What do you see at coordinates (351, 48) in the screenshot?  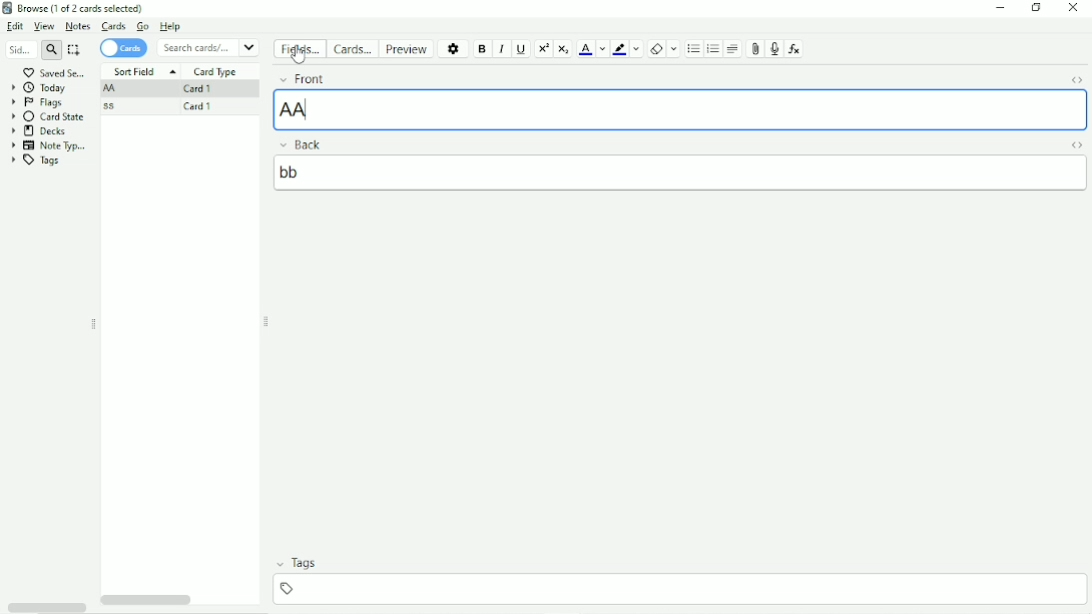 I see `Cards` at bounding box center [351, 48].